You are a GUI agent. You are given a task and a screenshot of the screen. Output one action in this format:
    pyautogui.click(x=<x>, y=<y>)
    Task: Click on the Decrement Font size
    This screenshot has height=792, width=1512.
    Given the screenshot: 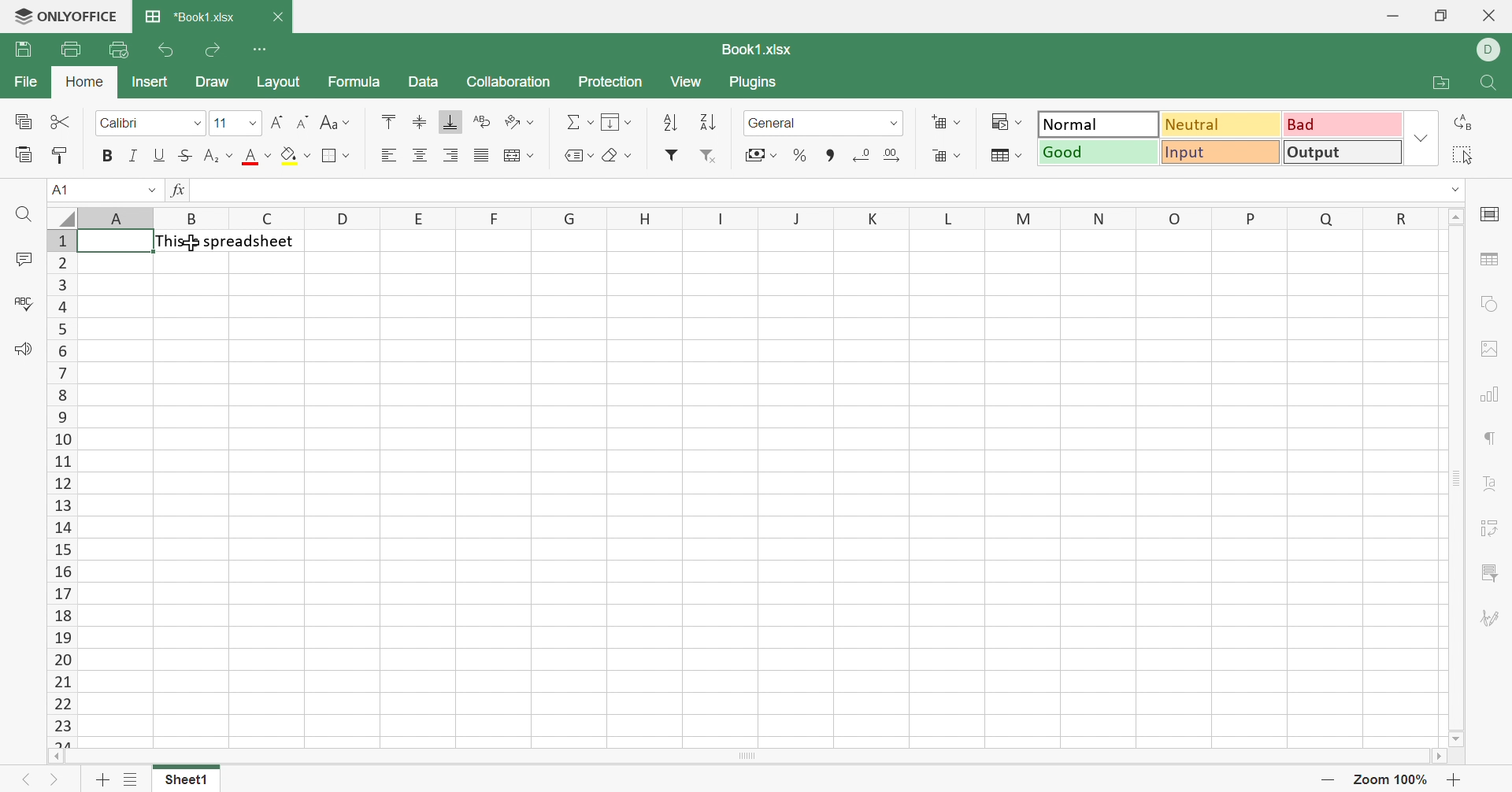 What is the action you would take?
    pyautogui.click(x=302, y=121)
    